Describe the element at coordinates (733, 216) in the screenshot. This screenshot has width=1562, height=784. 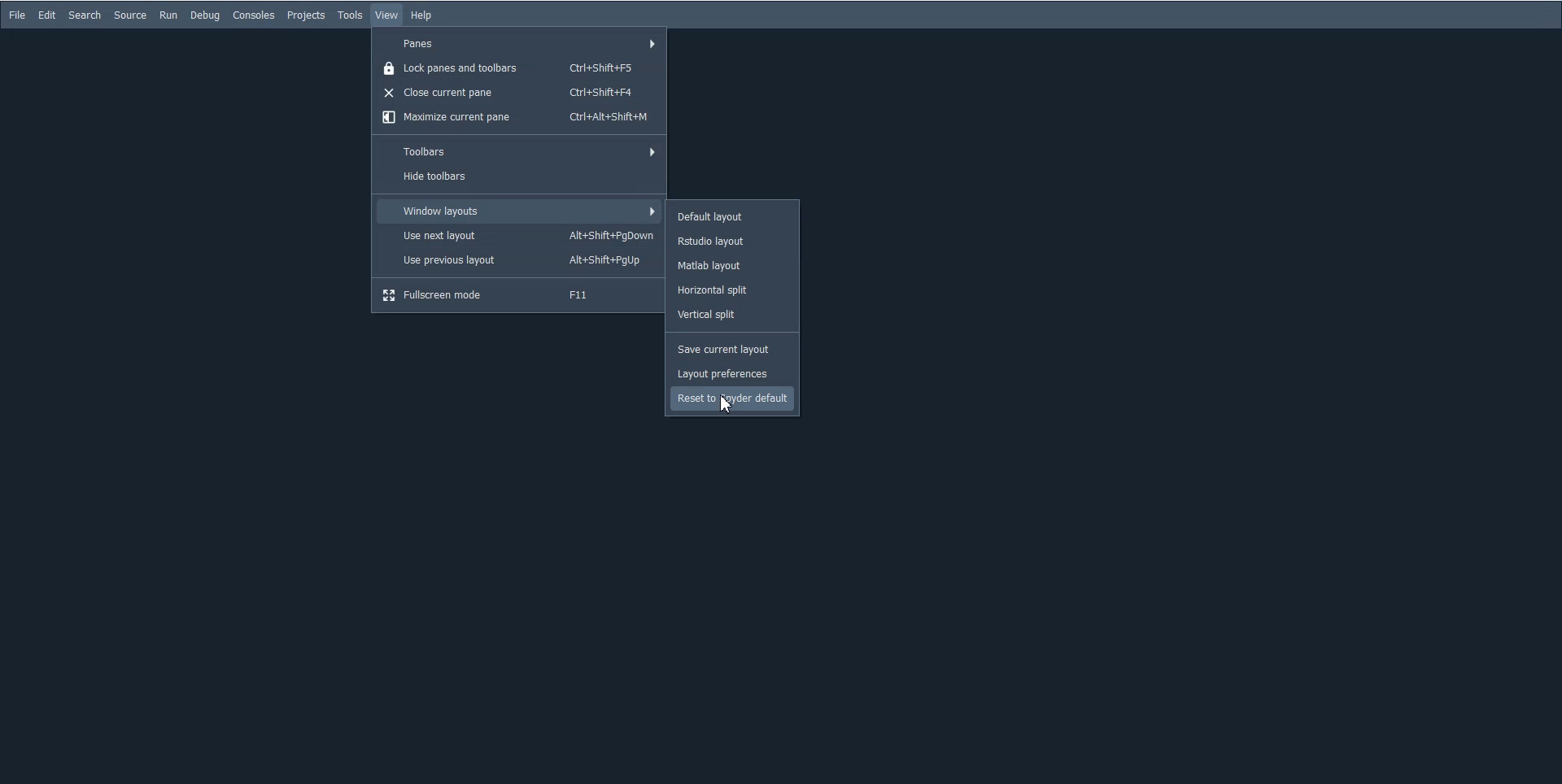
I see `Default layout` at that location.